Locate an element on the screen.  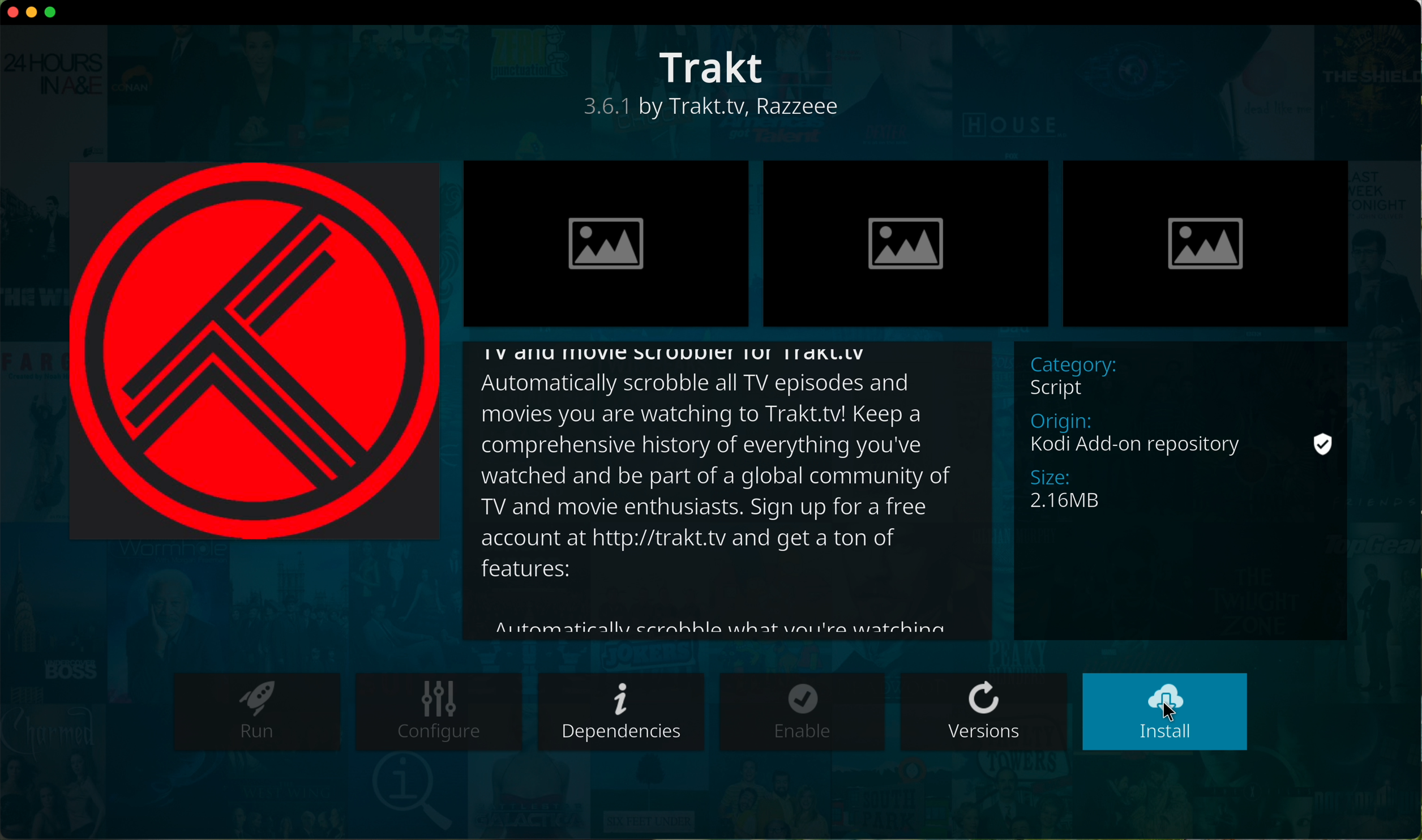
description is located at coordinates (1180, 491).